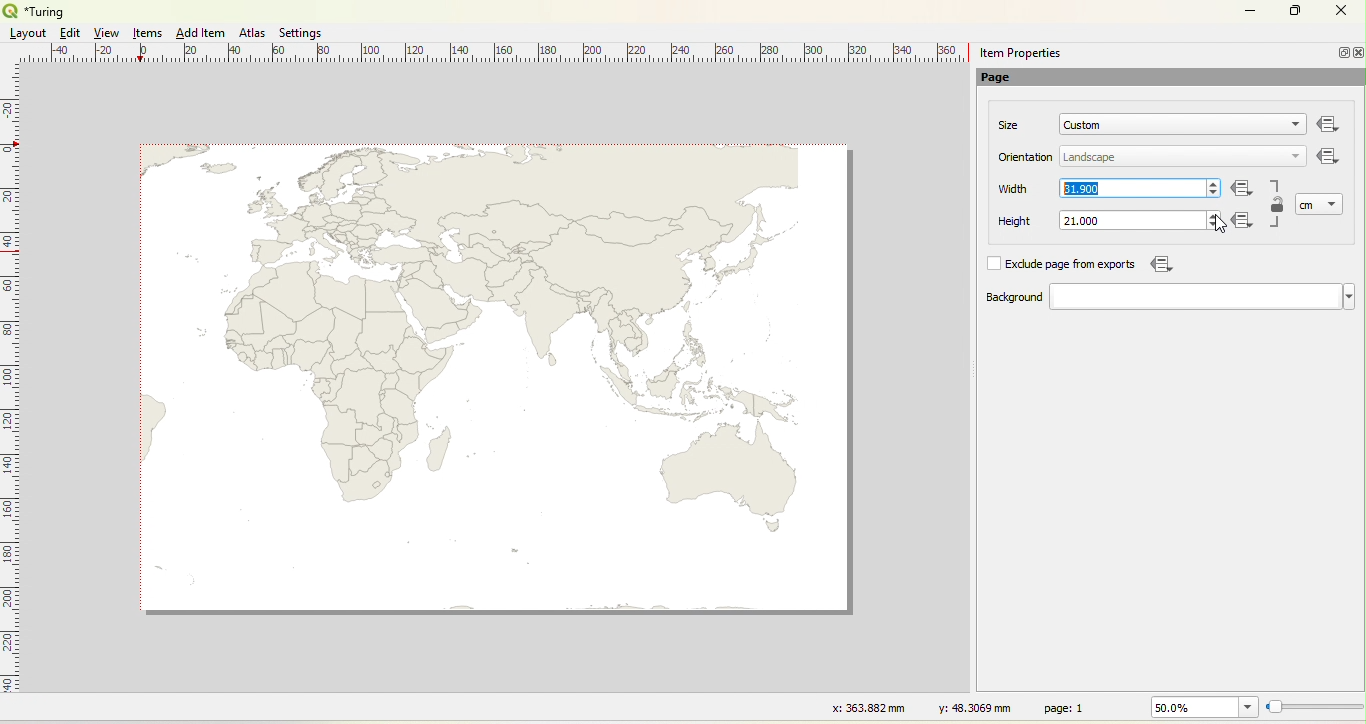 This screenshot has height=724, width=1366. I want to click on , so click(1329, 125).